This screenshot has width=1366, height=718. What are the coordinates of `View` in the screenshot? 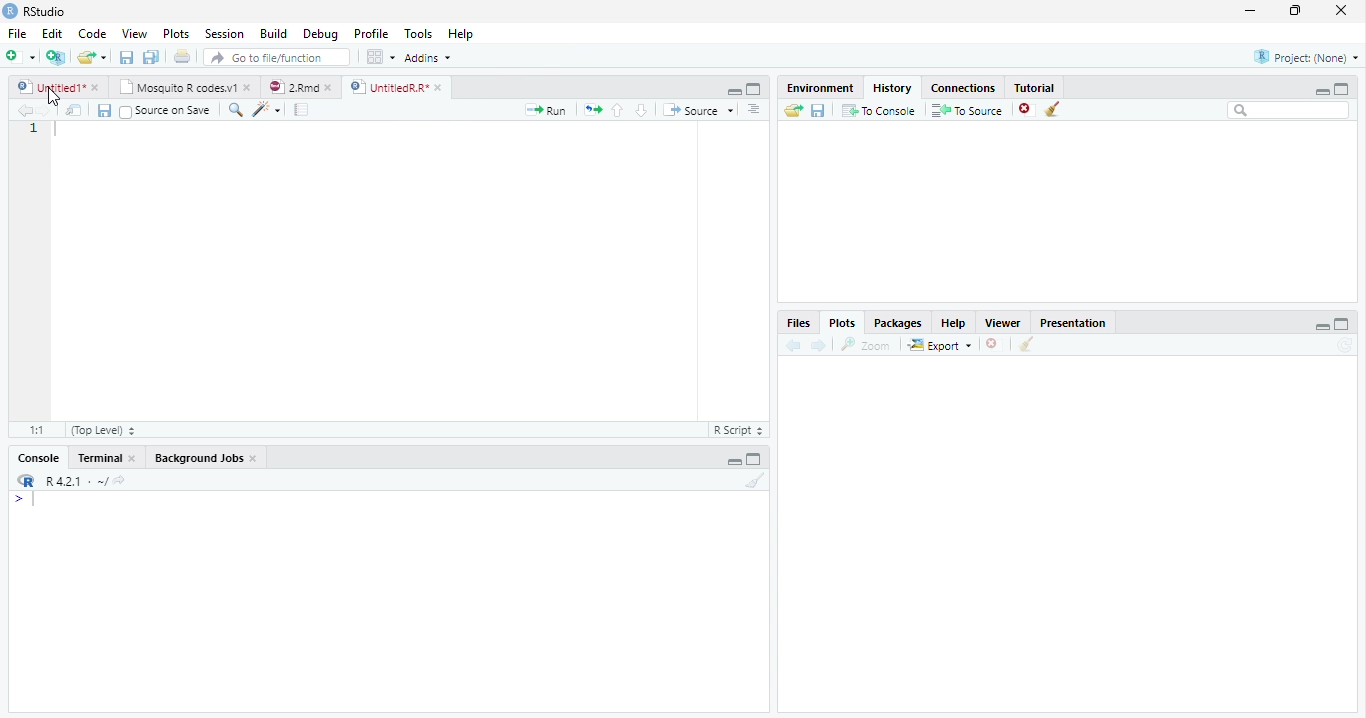 It's located at (133, 34).